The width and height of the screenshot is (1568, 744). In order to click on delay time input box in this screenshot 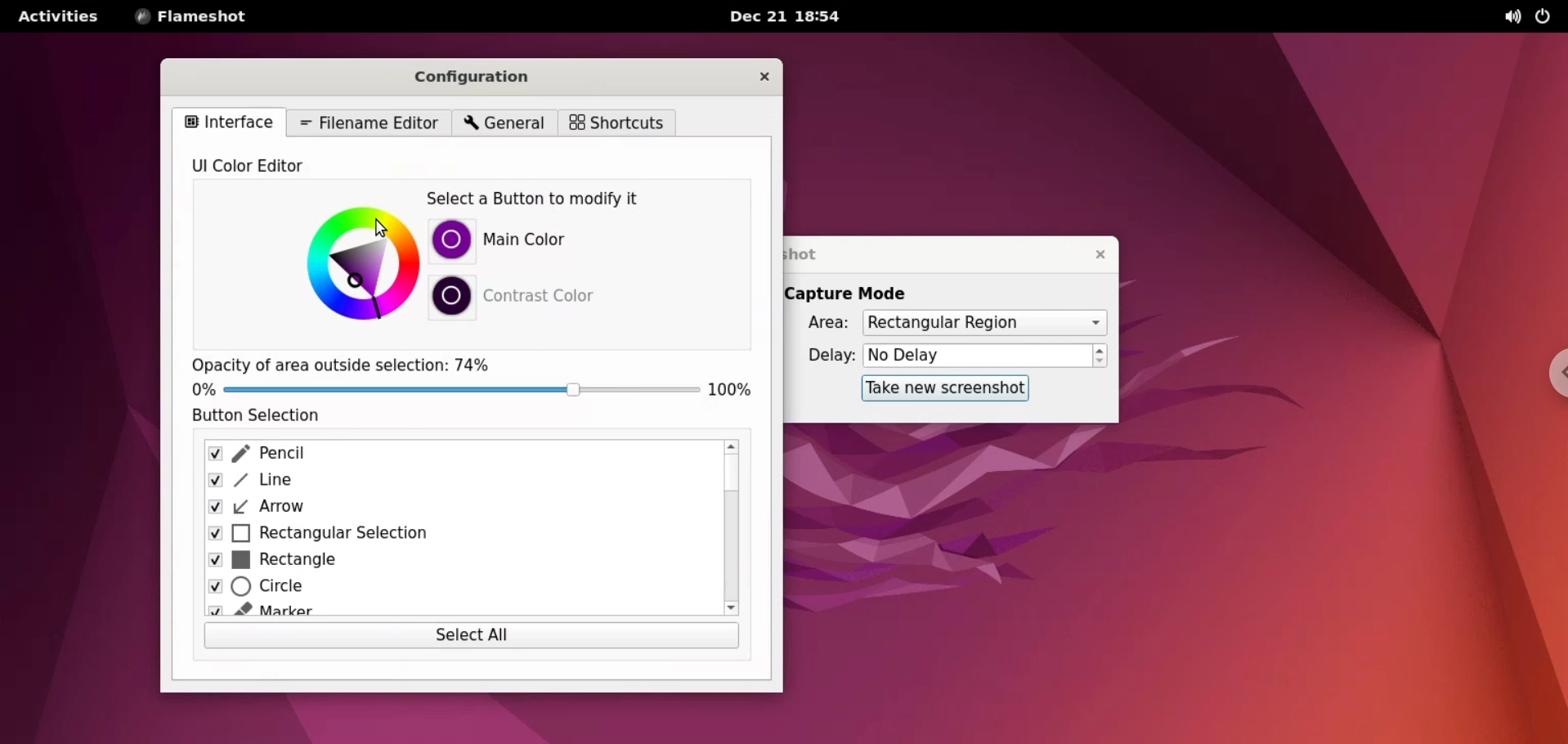, I will do `click(979, 356)`.